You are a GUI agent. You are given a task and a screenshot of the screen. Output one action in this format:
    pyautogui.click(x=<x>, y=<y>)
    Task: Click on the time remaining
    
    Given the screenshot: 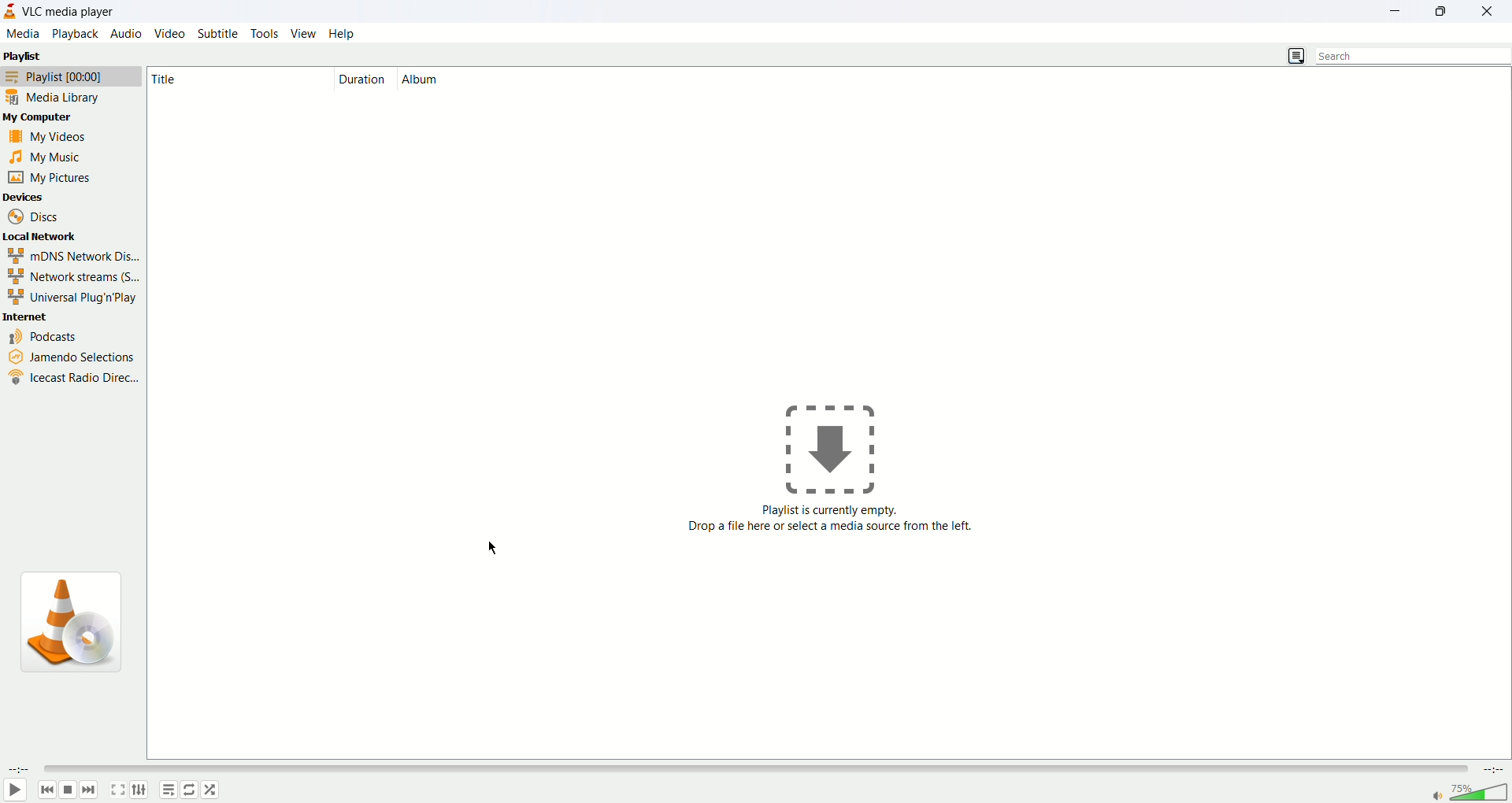 What is the action you would take?
    pyautogui.click(x=1492, y=772)
    